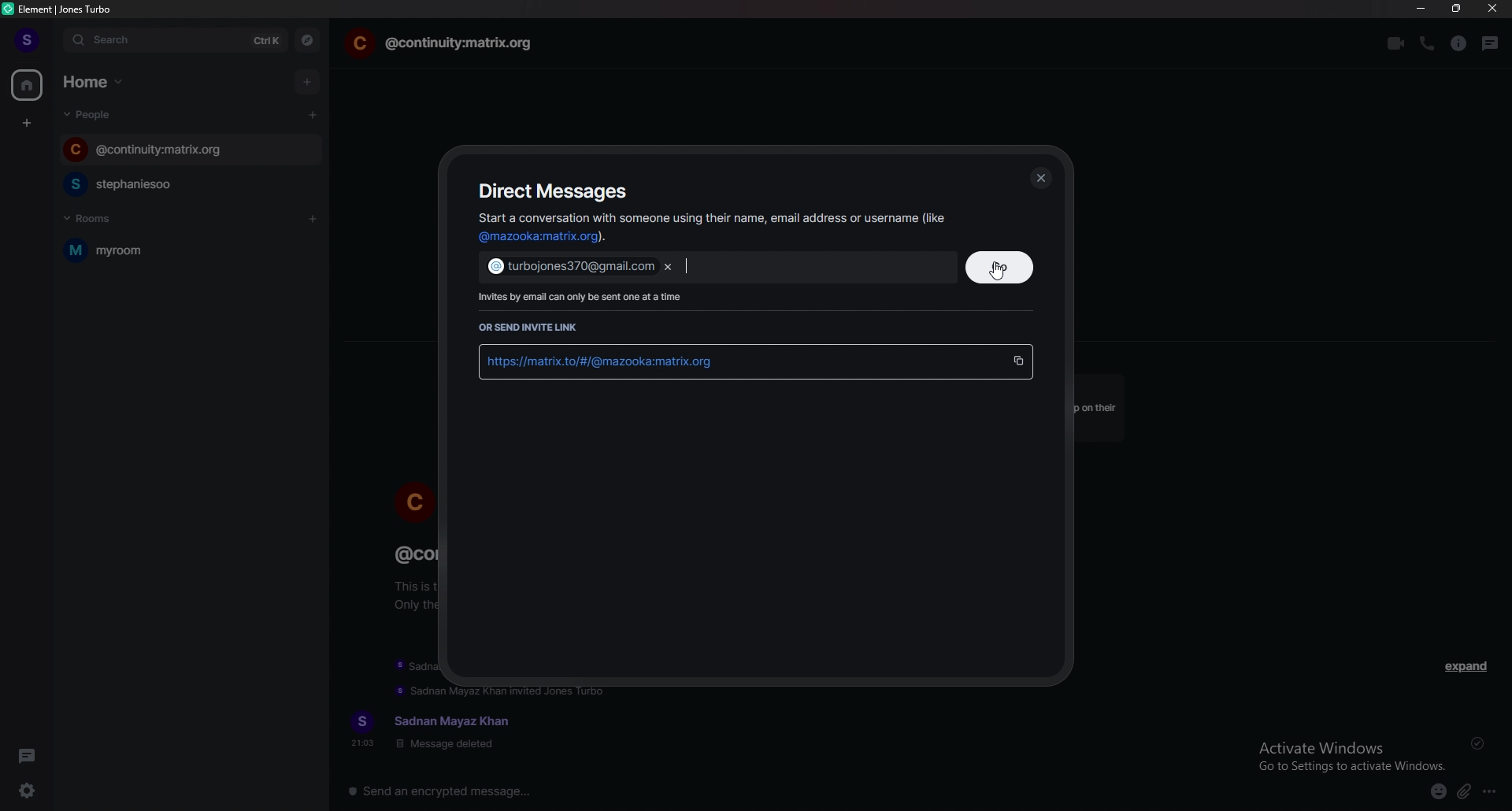 The height and width of the screenshot is (811, 1512). I want to click on minimize, so click(1421, 9).